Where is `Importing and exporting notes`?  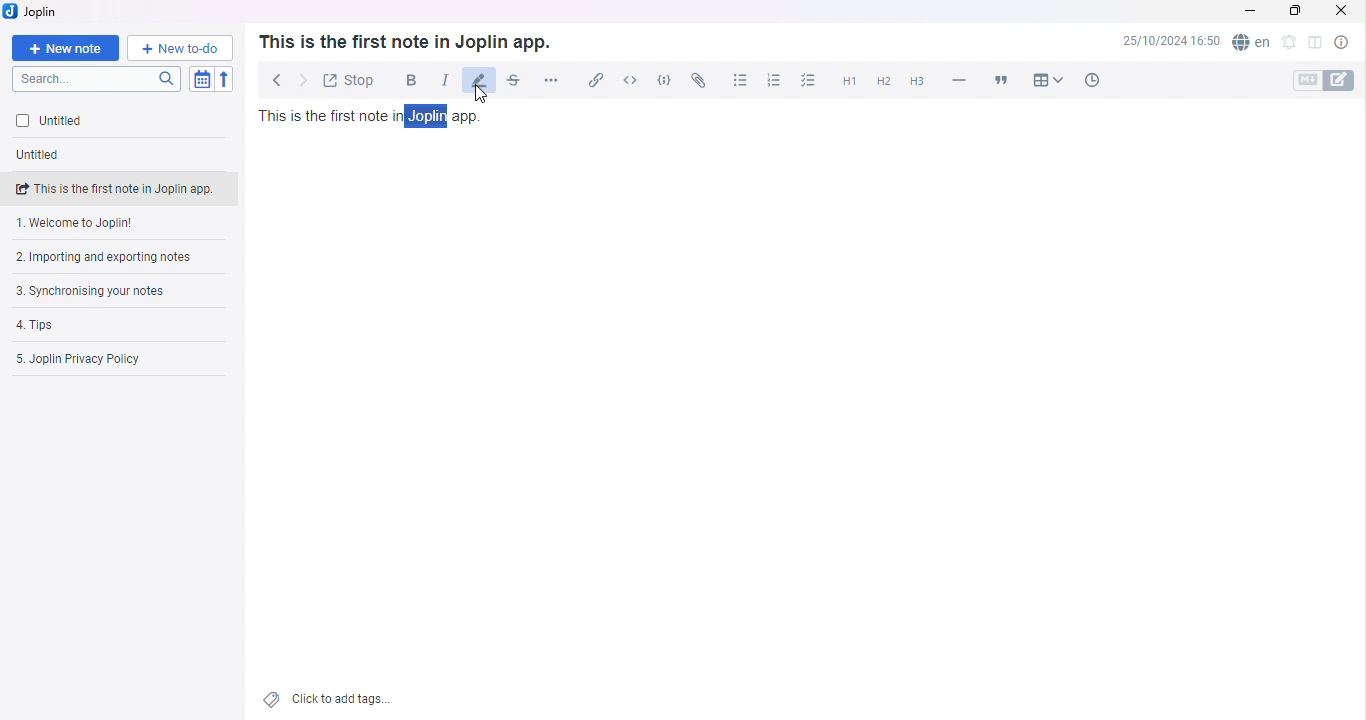 Importing and exporting notes is located at coordinates (115, 259).